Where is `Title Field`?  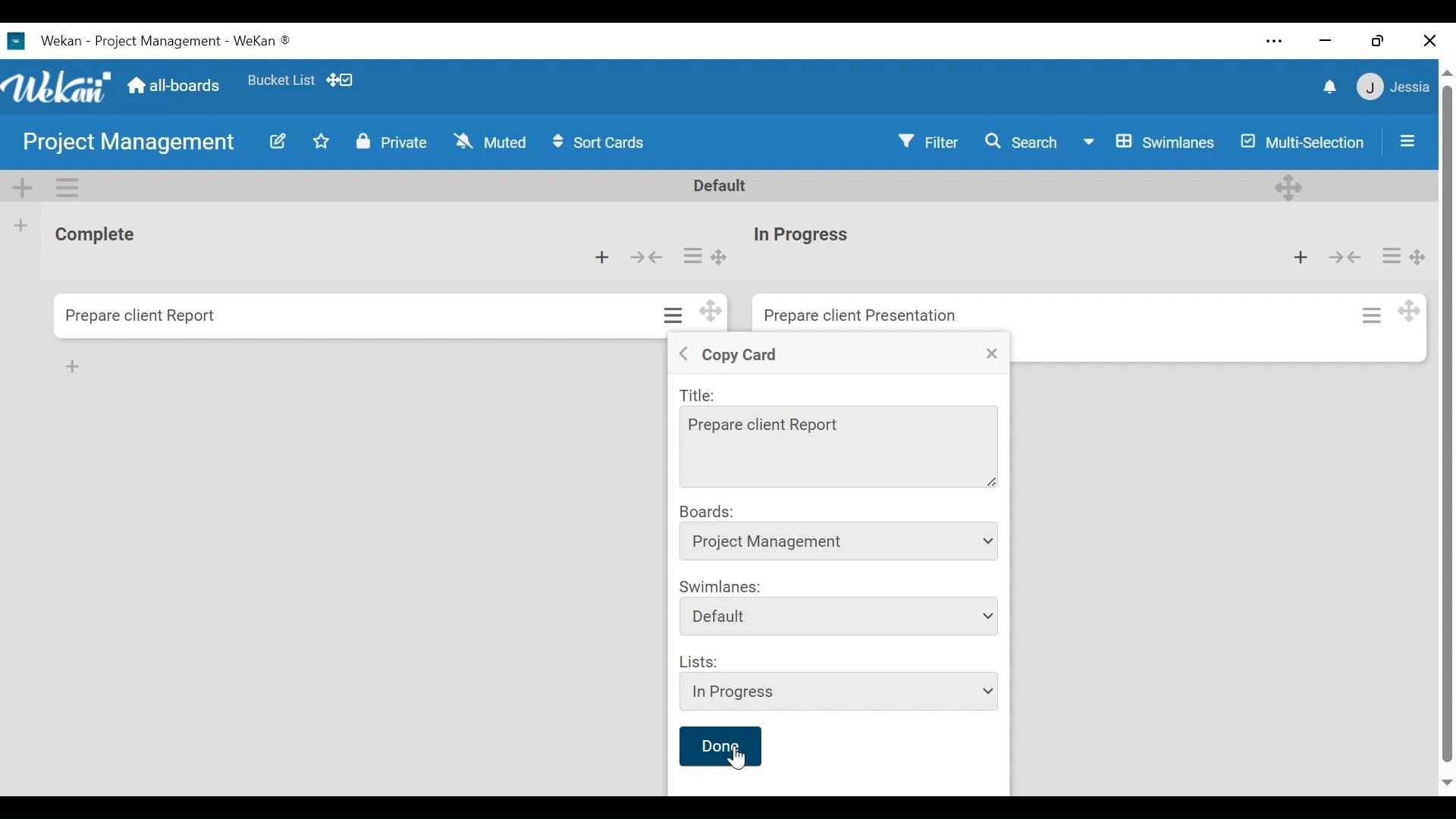 Title Field is located at coordinates (839, 447).